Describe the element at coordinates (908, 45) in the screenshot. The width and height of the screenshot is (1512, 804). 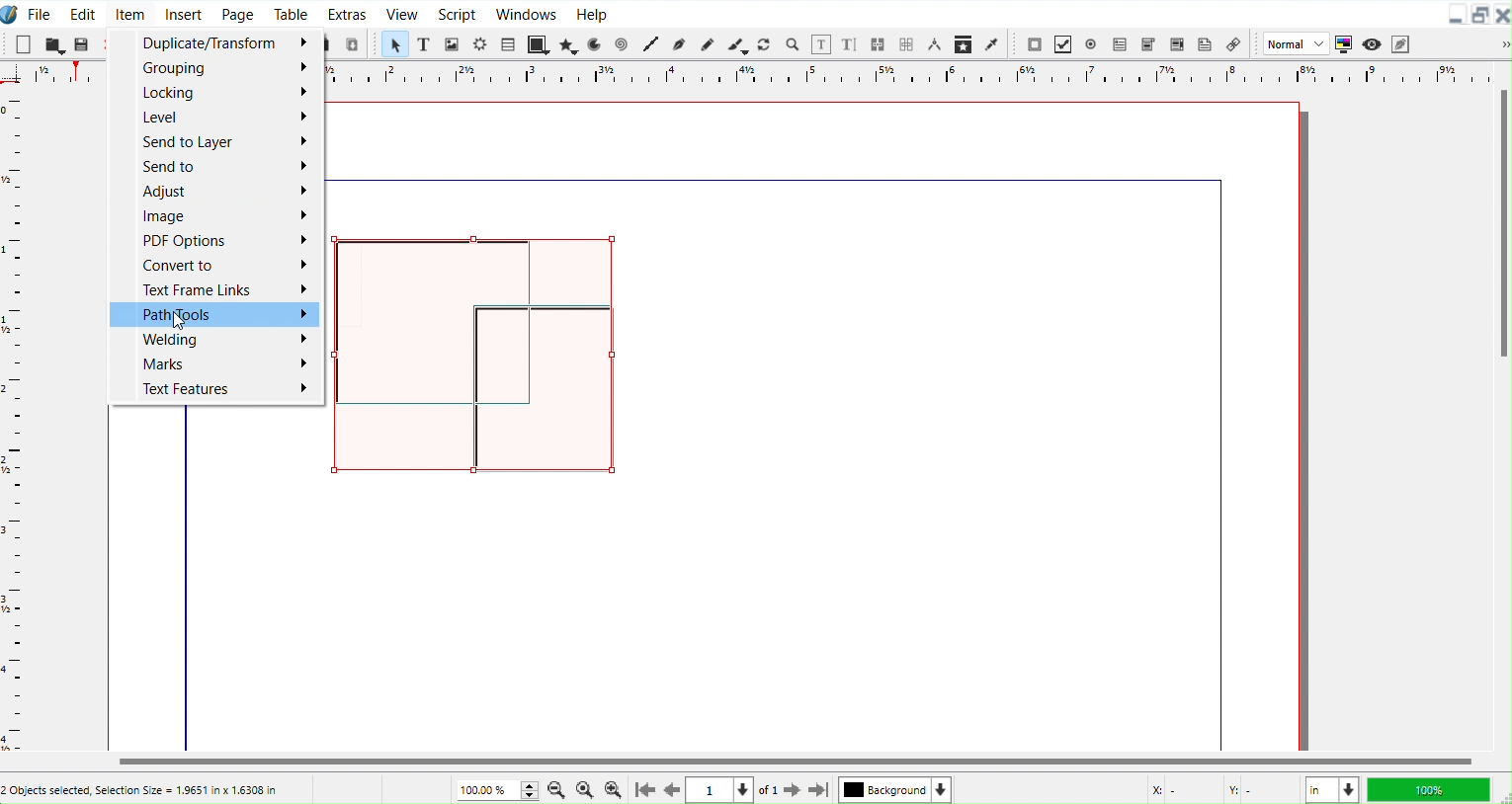
I see `Unlink frame work` at that location.